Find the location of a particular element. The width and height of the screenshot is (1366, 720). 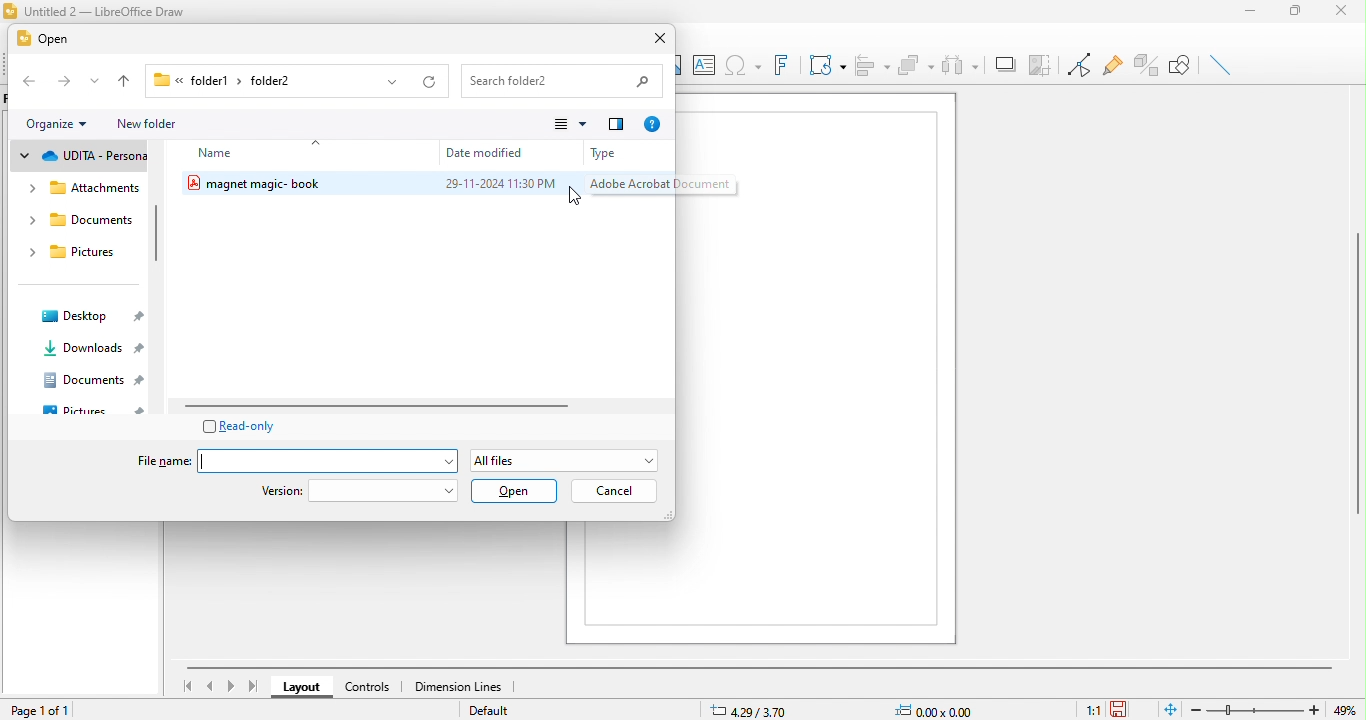

special character is located at coordinates (742, 65).